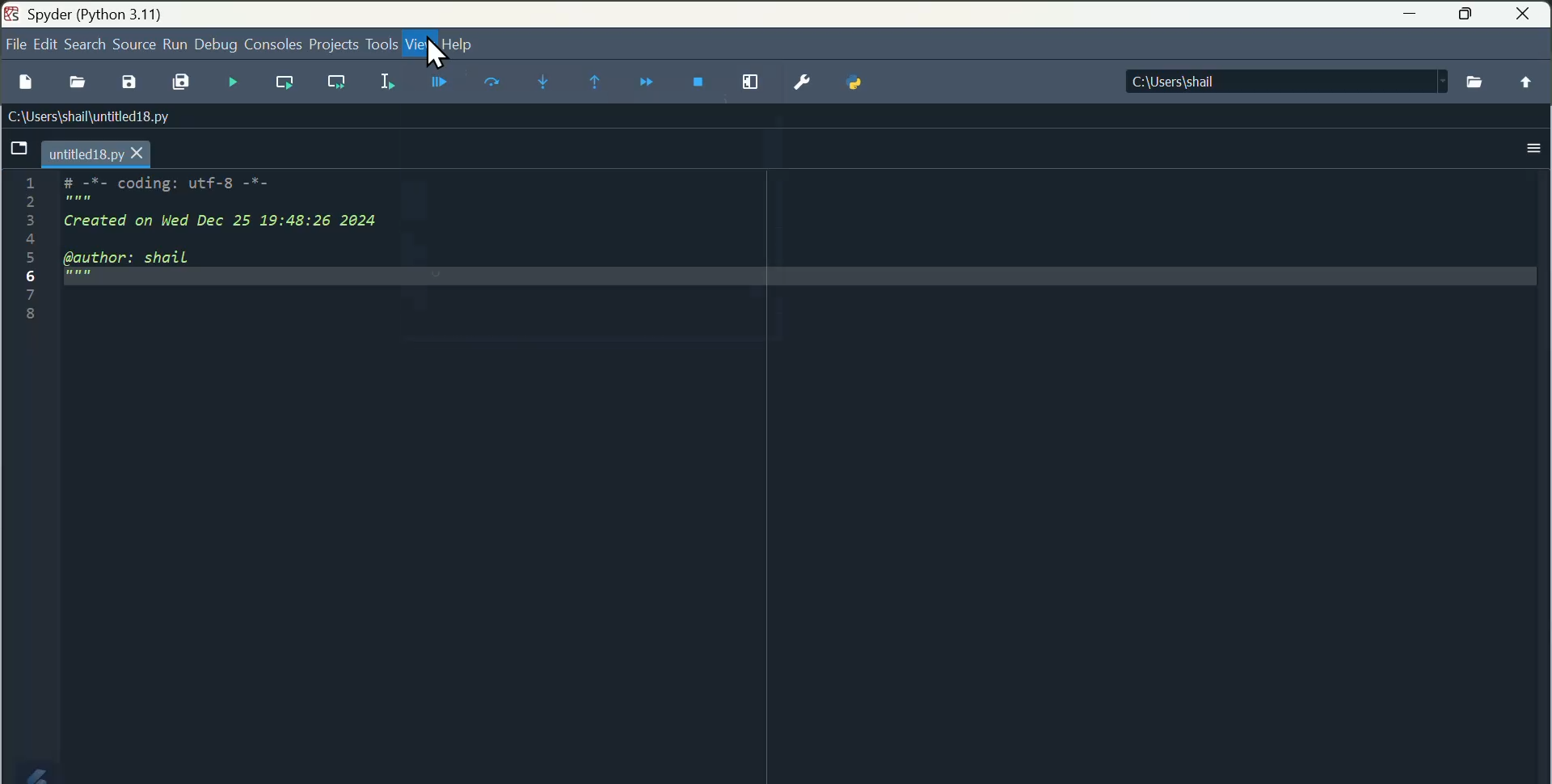  What do you see at coordinates (647, 86) in the screenshot?
I see `Continue execution until next breakpoints` at bounding box center [647, 86].